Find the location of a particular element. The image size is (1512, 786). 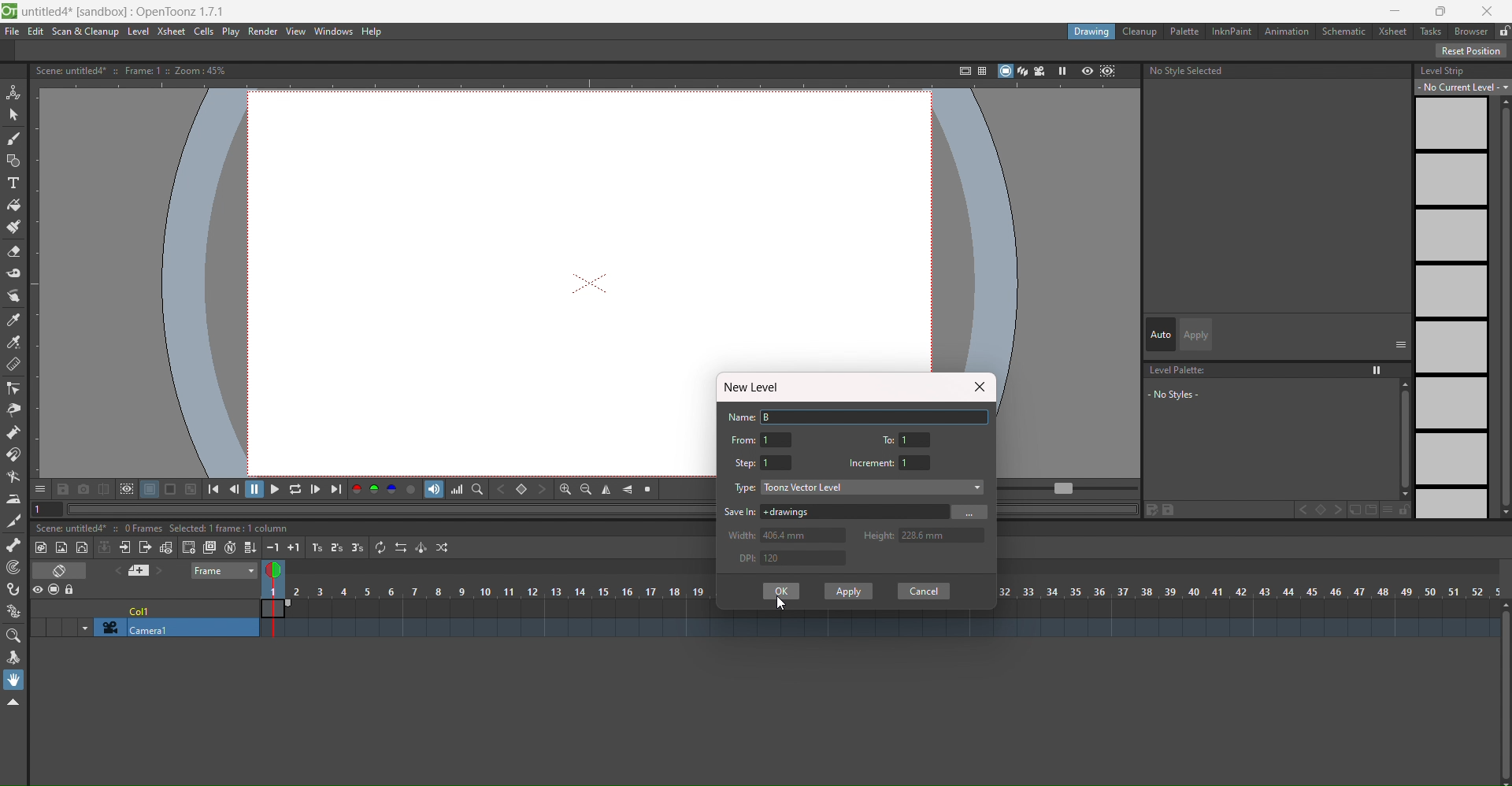

no current level is located at coordinates (1464, 87).